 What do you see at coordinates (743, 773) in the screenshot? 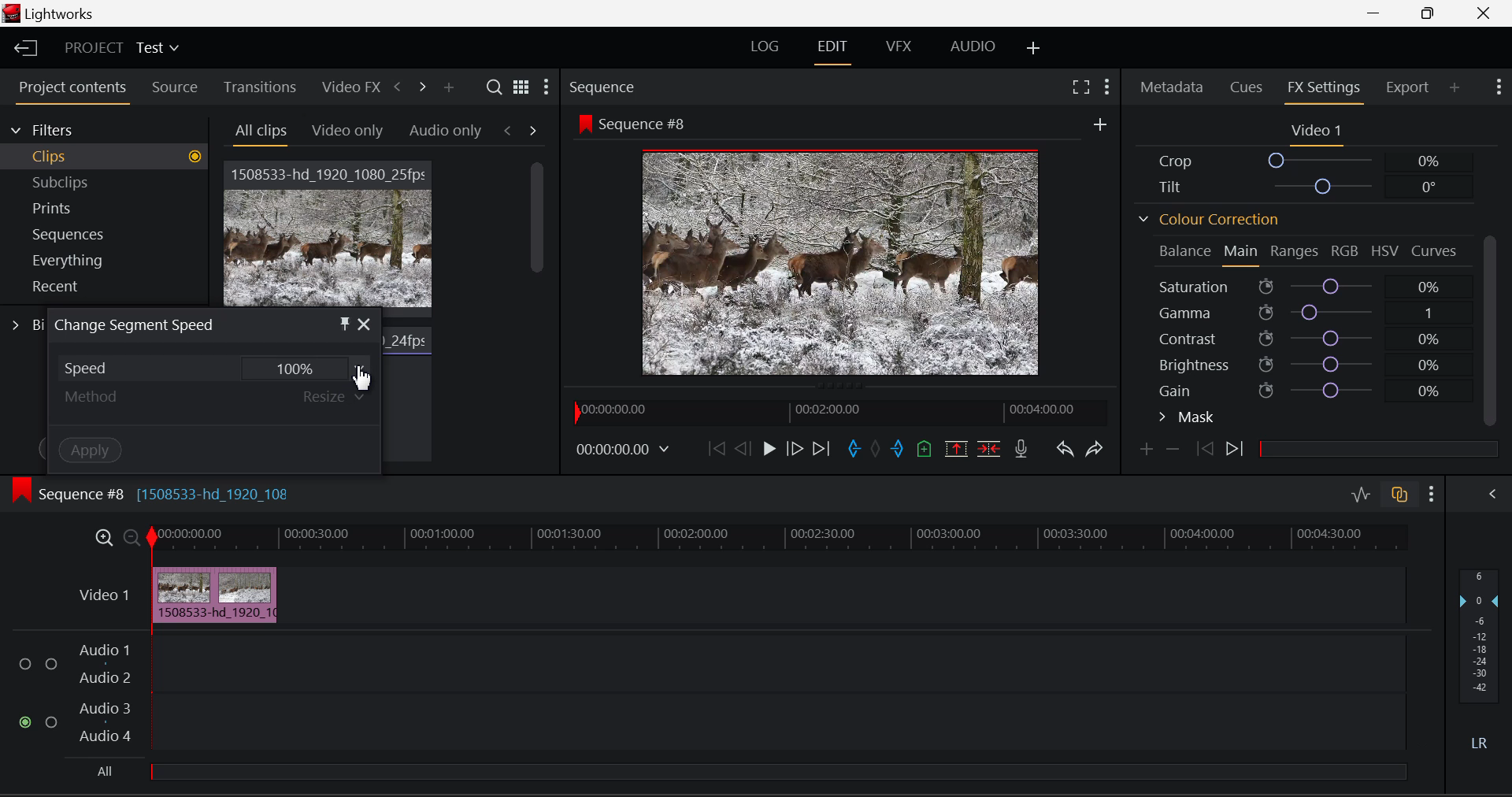
I see `All` at bounding box center [743, 773].